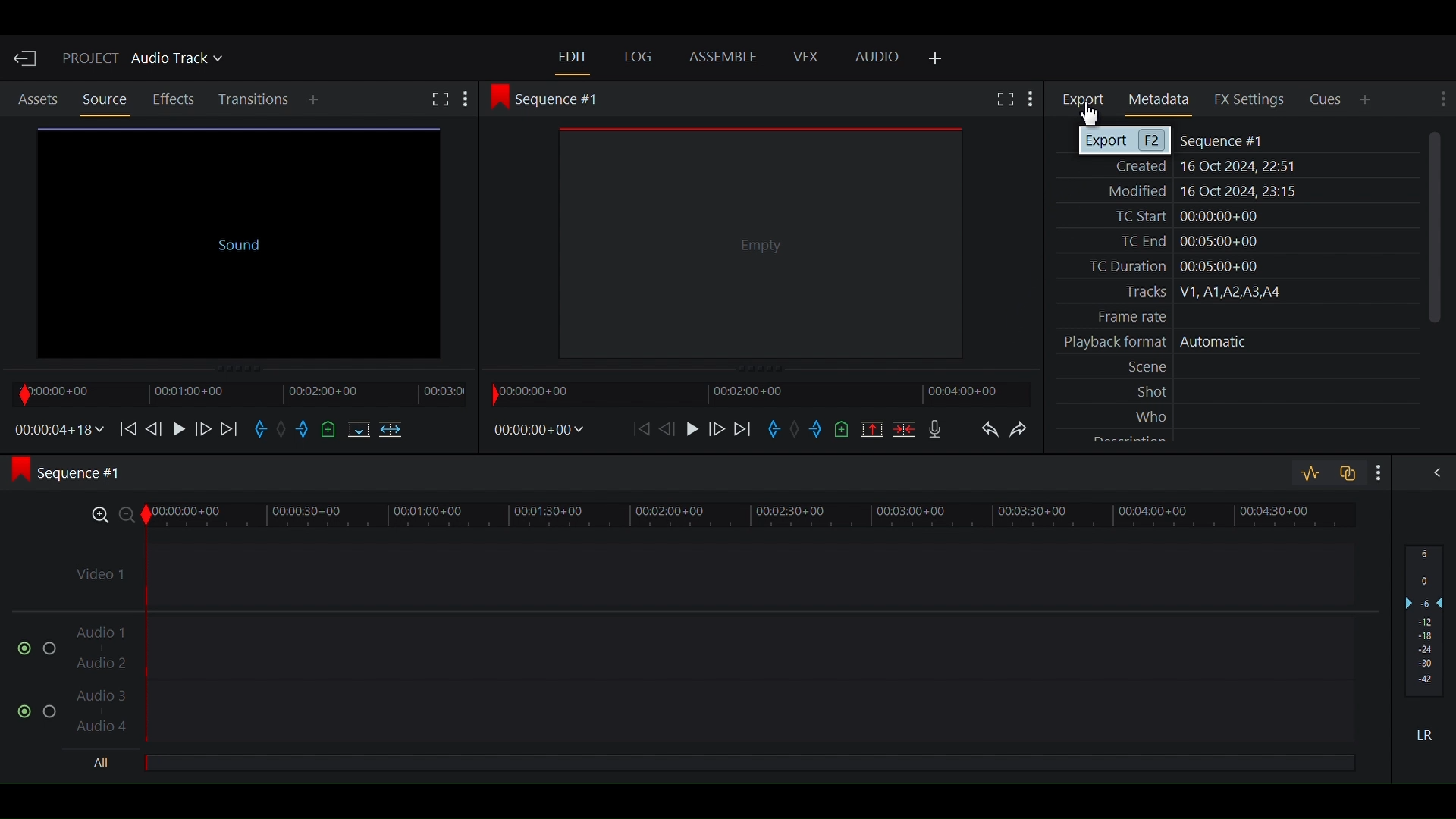 The image size is (1456, 819). I want to click on Nudge one frame backward, so click(155, 427).